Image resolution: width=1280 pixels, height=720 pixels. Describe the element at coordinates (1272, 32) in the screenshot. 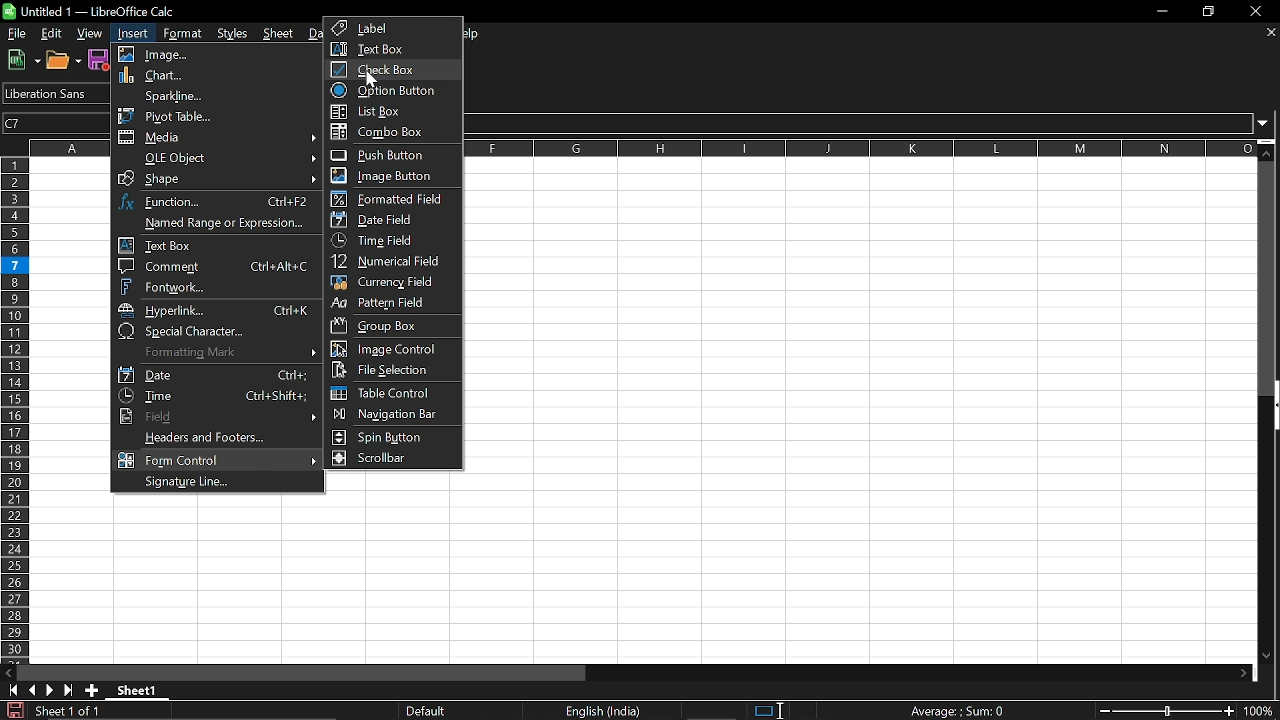

I see `Close document` at that location.